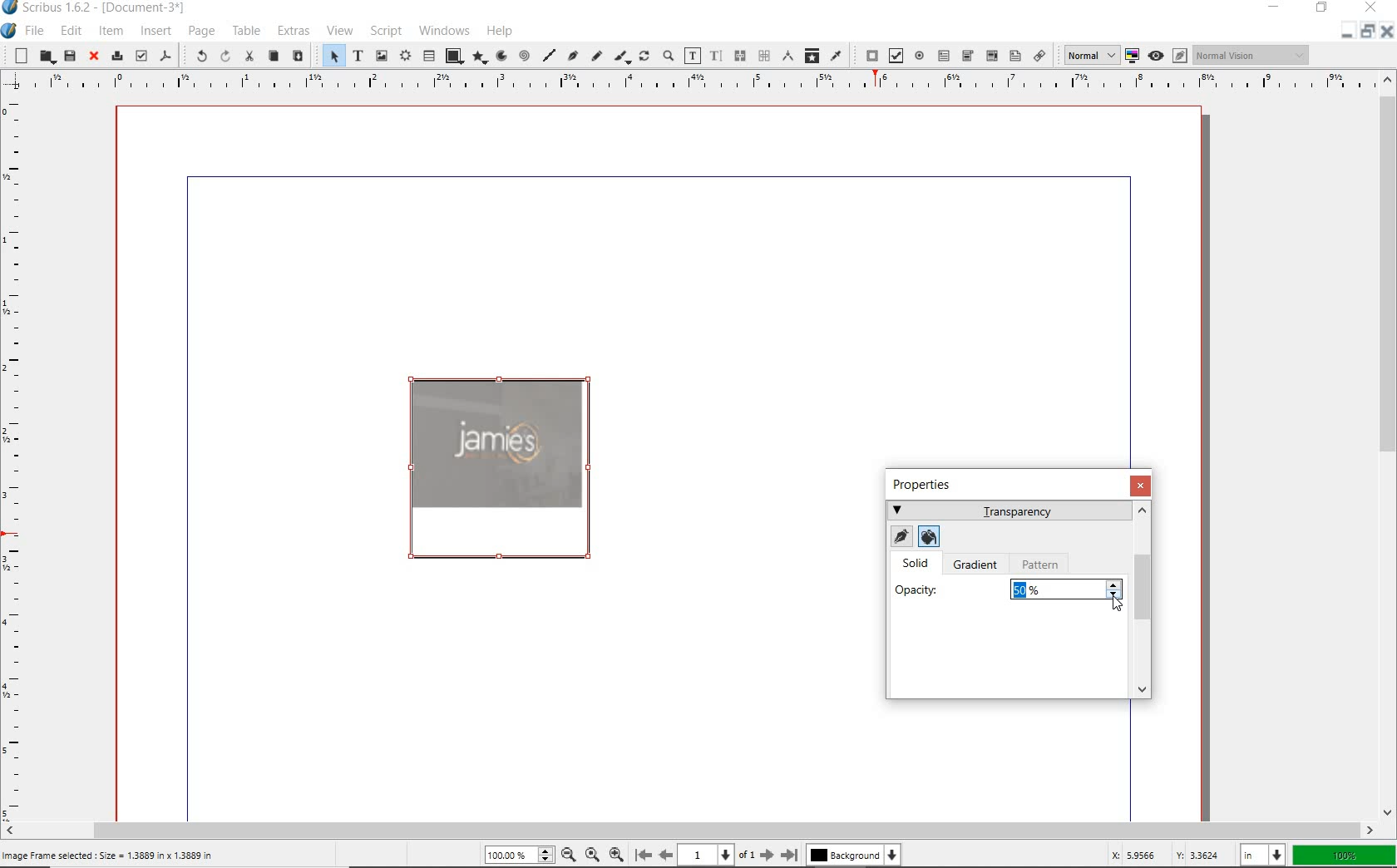 The height and width of the screenshot is (868, 1397). Describe the element at coordinates (247, 30) in the screenshot. I see `TABLE` at that location.